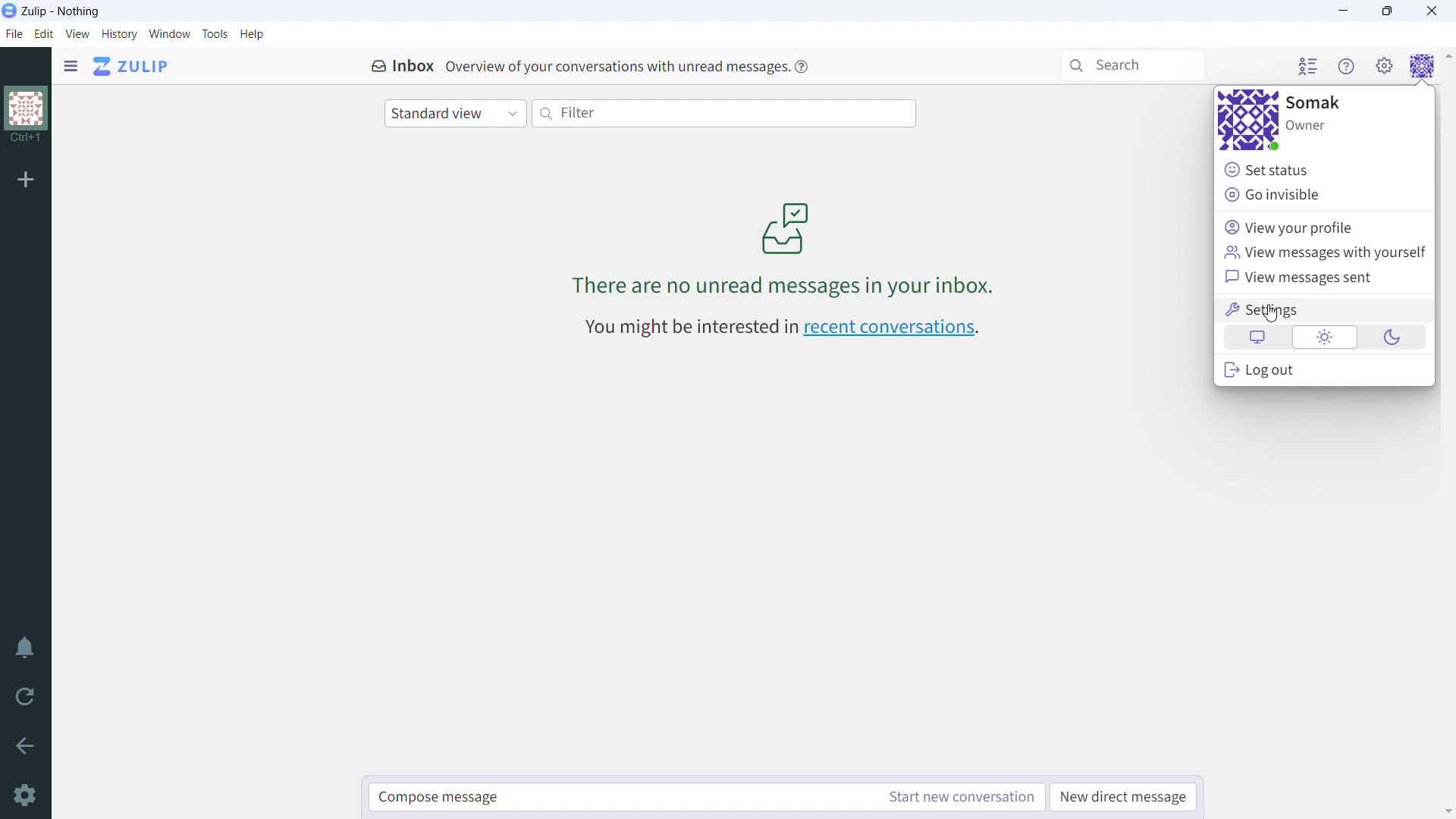 This screenshot has width=1456, height=819. Describe the element at coordinates (579, 65) in the screenshot. I see `& Inbox Overview of your conversations with unread messages` at that location.